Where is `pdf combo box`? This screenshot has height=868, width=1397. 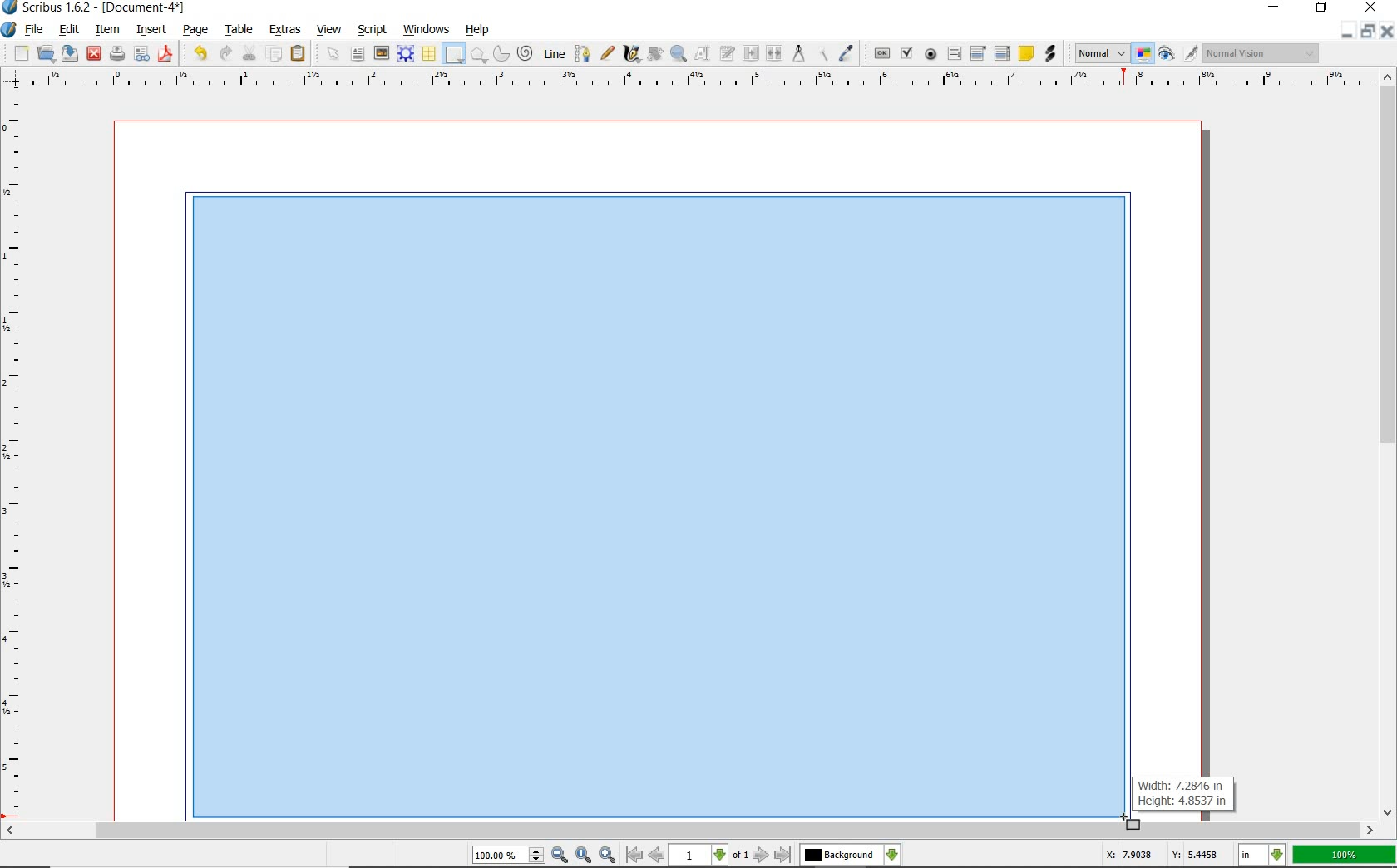
pdf combo box is located at coordinates (977, 52).